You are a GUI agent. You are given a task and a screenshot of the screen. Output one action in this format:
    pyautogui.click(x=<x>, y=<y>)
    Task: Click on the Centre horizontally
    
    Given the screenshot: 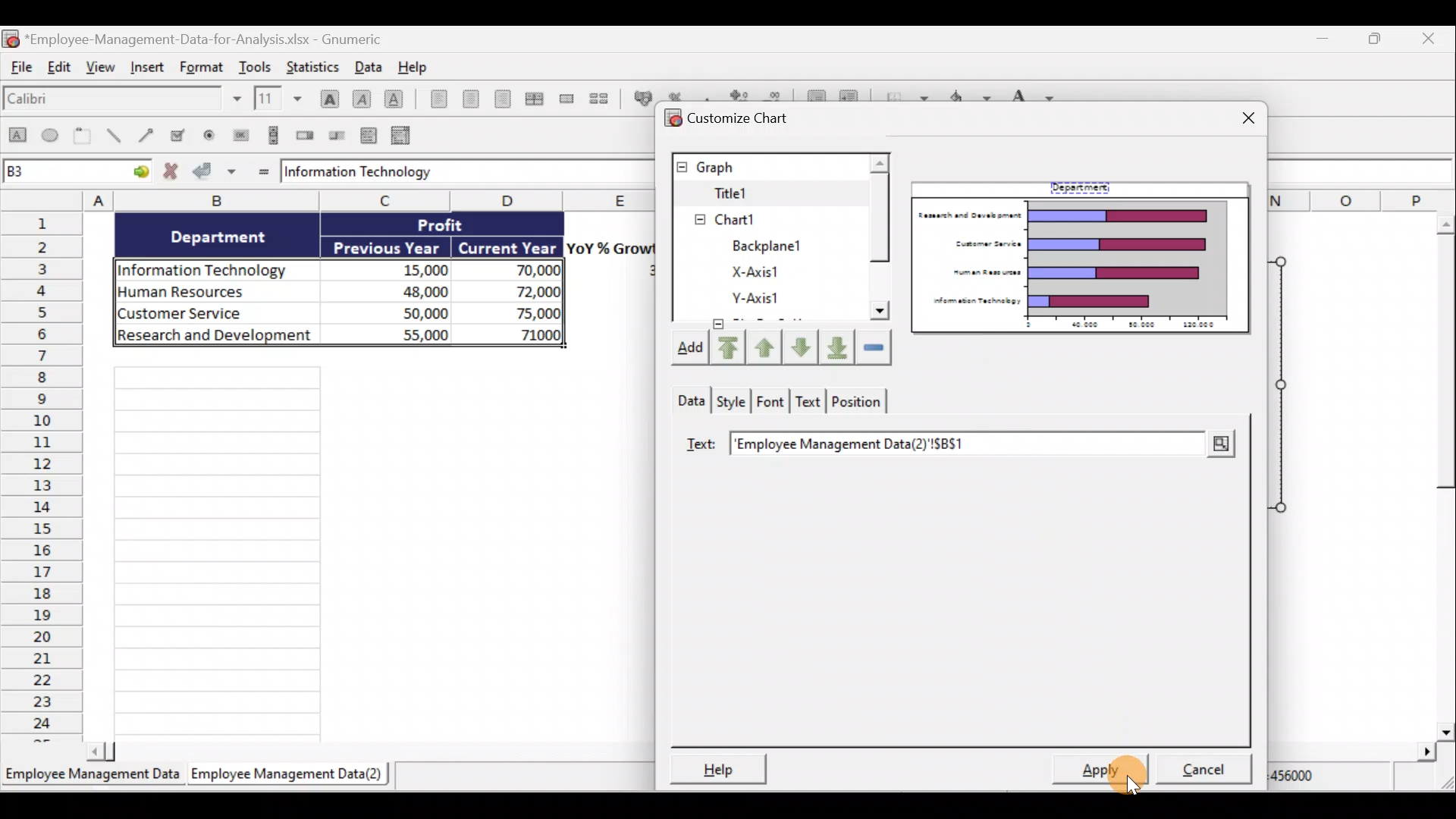 What is the action you would take?
    pyautogui.click(x=476, y=101)
    